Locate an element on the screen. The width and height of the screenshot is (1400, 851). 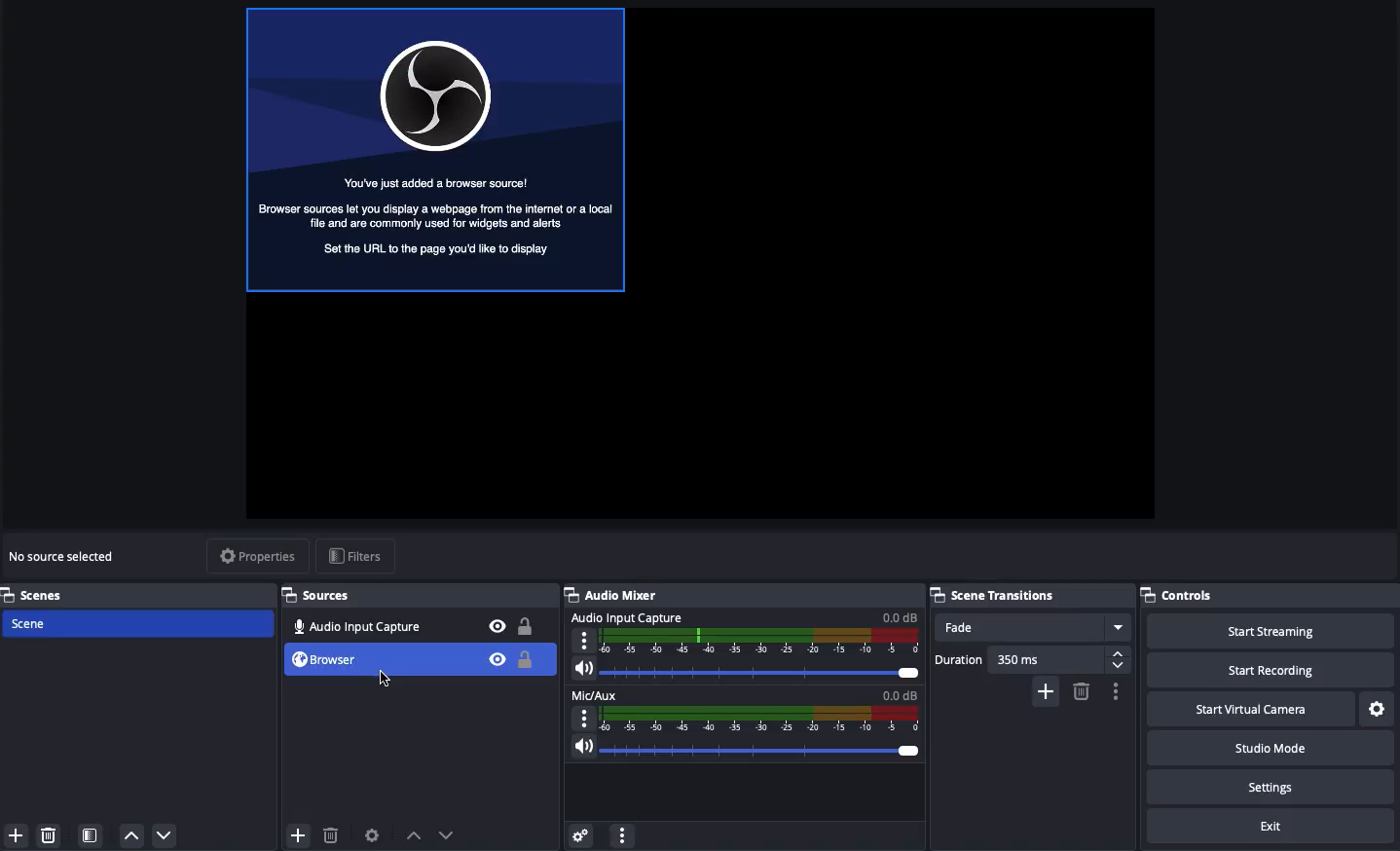
Settings is located at coordinates (1376, 710).